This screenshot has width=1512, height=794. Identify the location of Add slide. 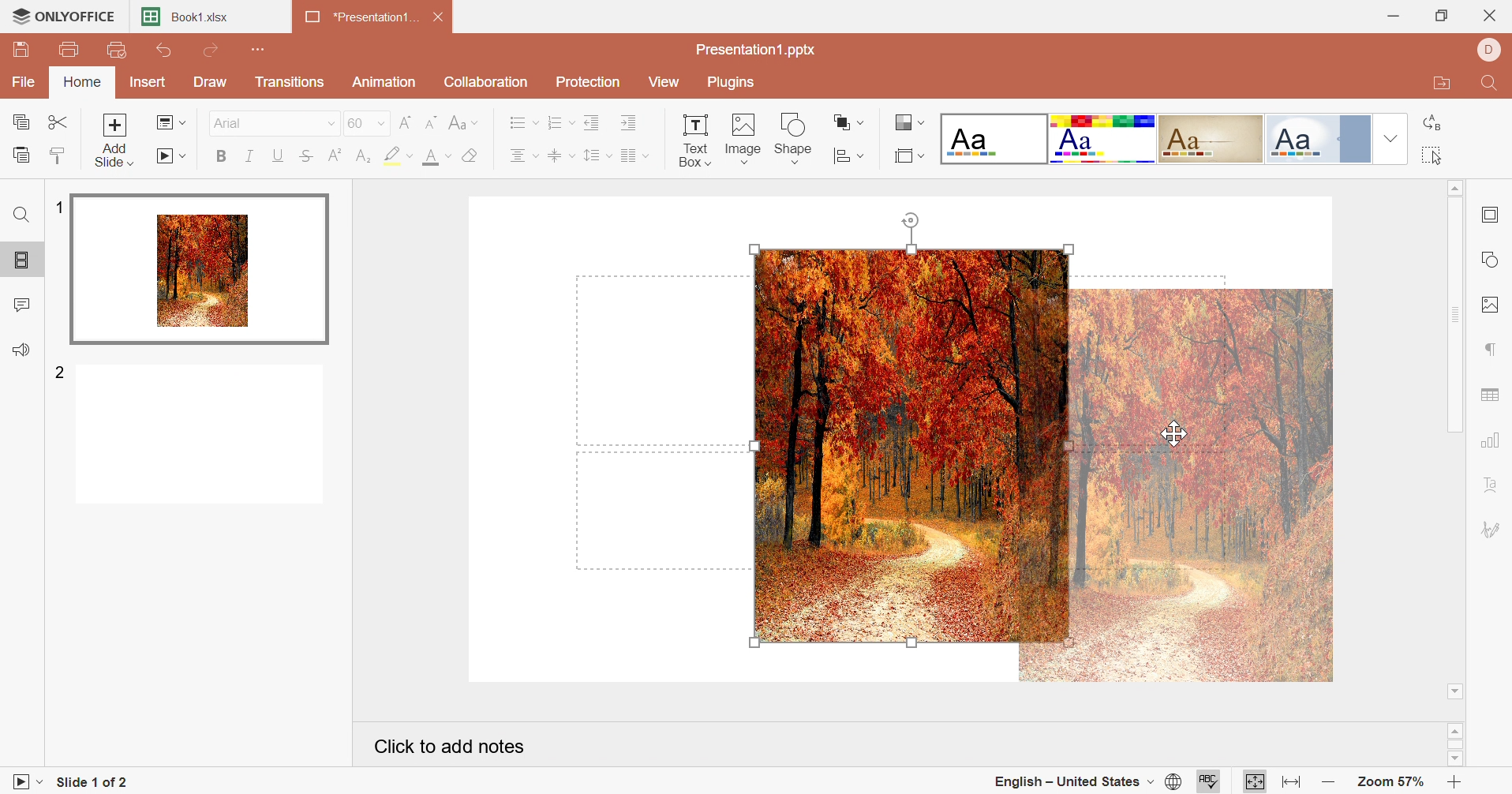
(113, 142).